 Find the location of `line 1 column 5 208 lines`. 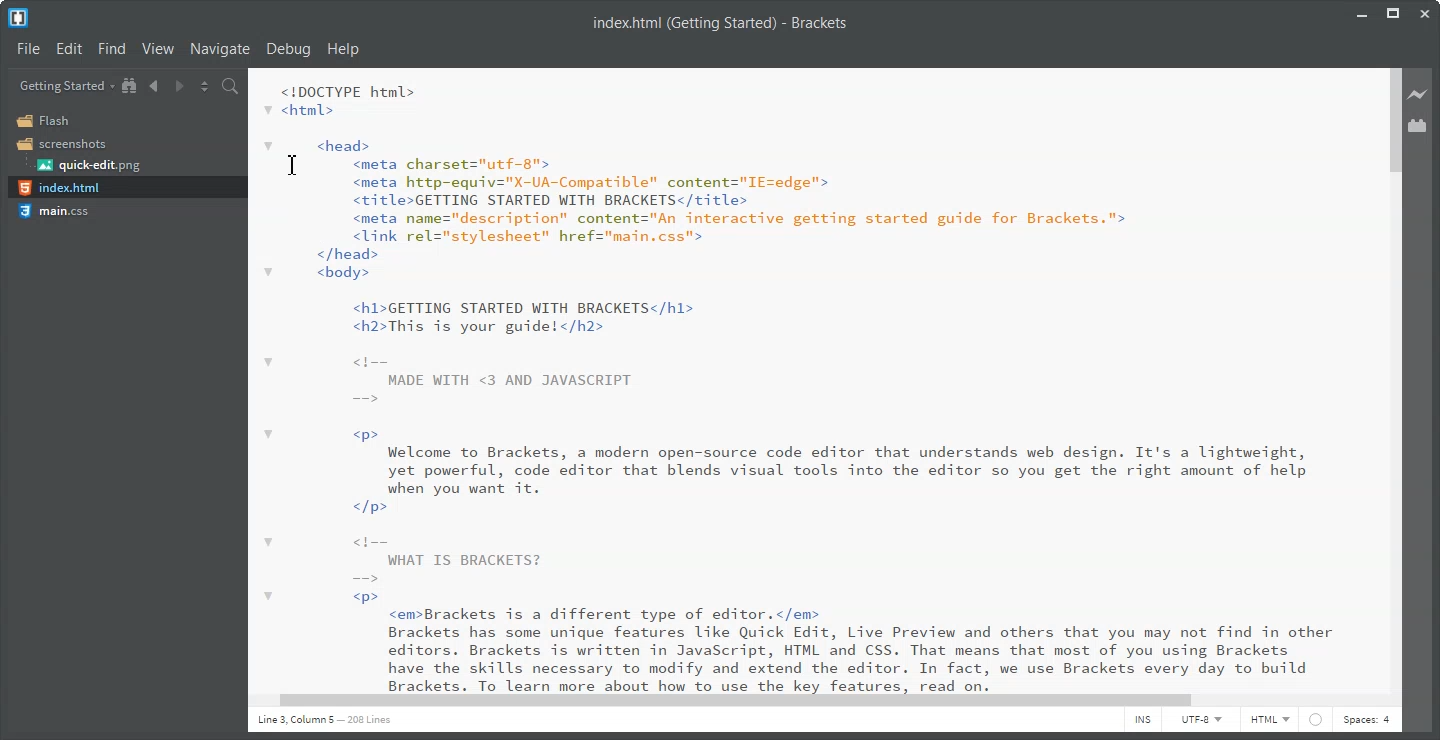

line 1 column 5 208 lines is located at coordinates (322, 719).